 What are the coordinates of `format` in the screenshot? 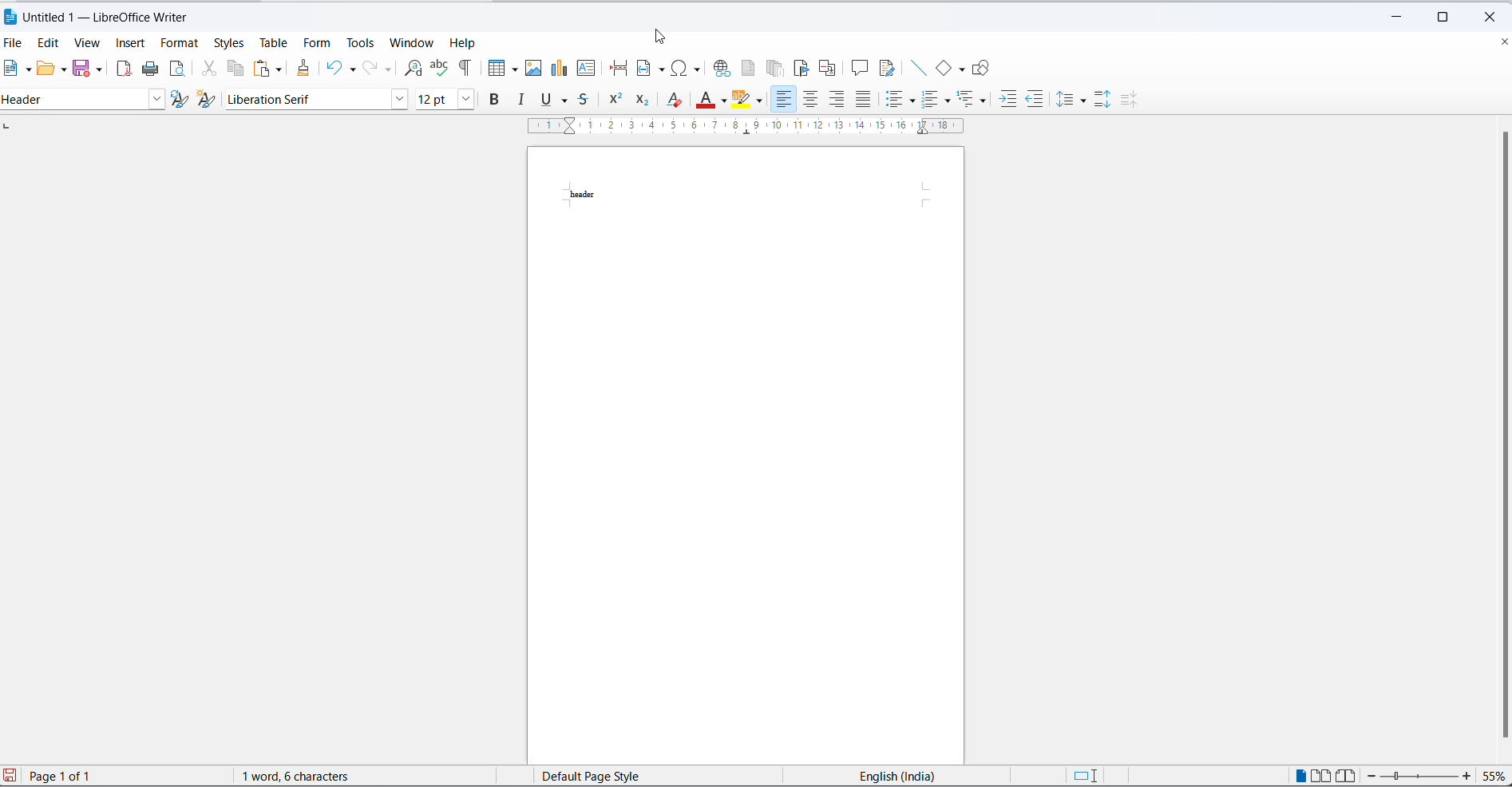 It's located at (177, 43).